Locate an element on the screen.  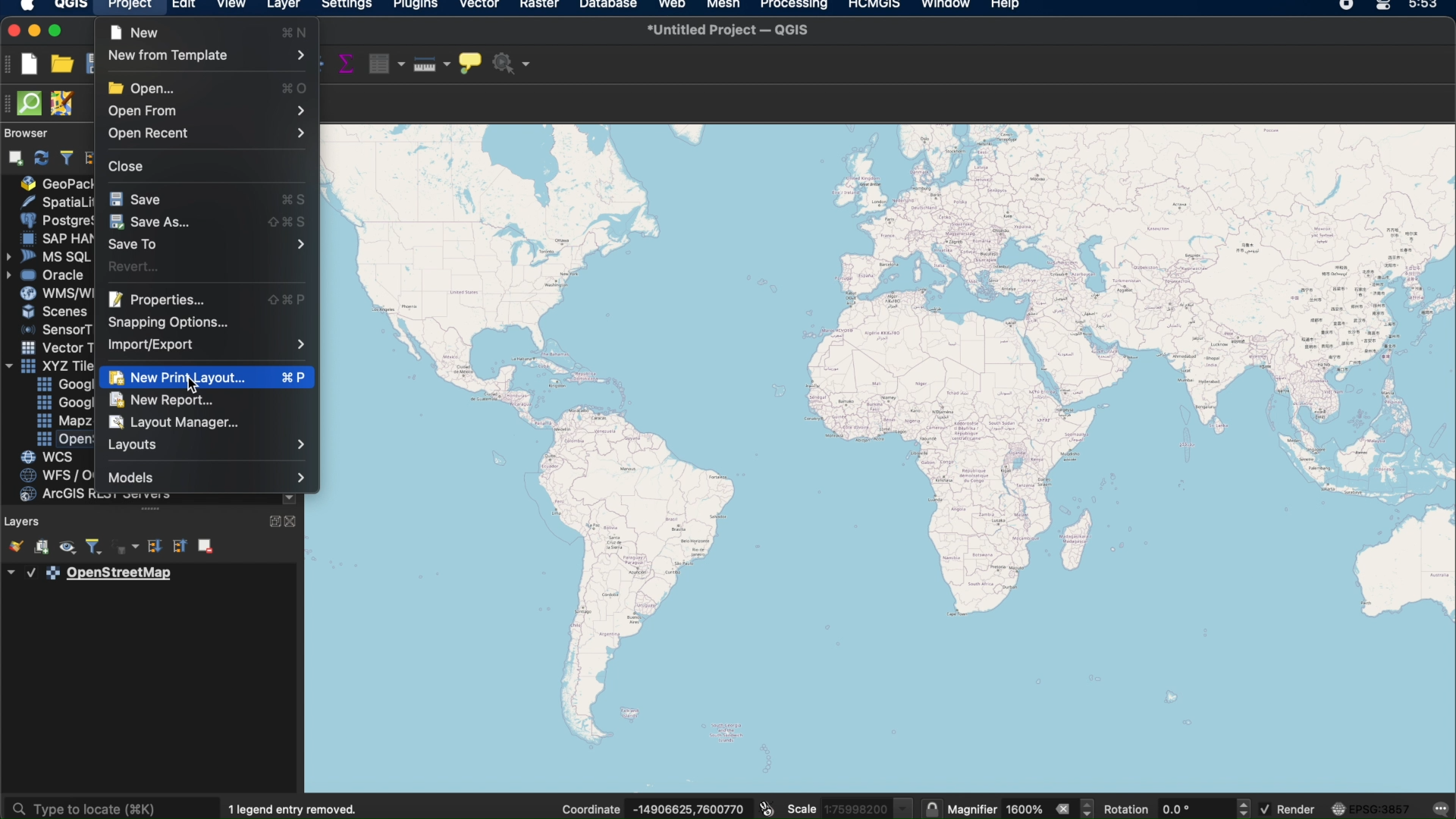
no action selected is located at coordinates (516, 65).